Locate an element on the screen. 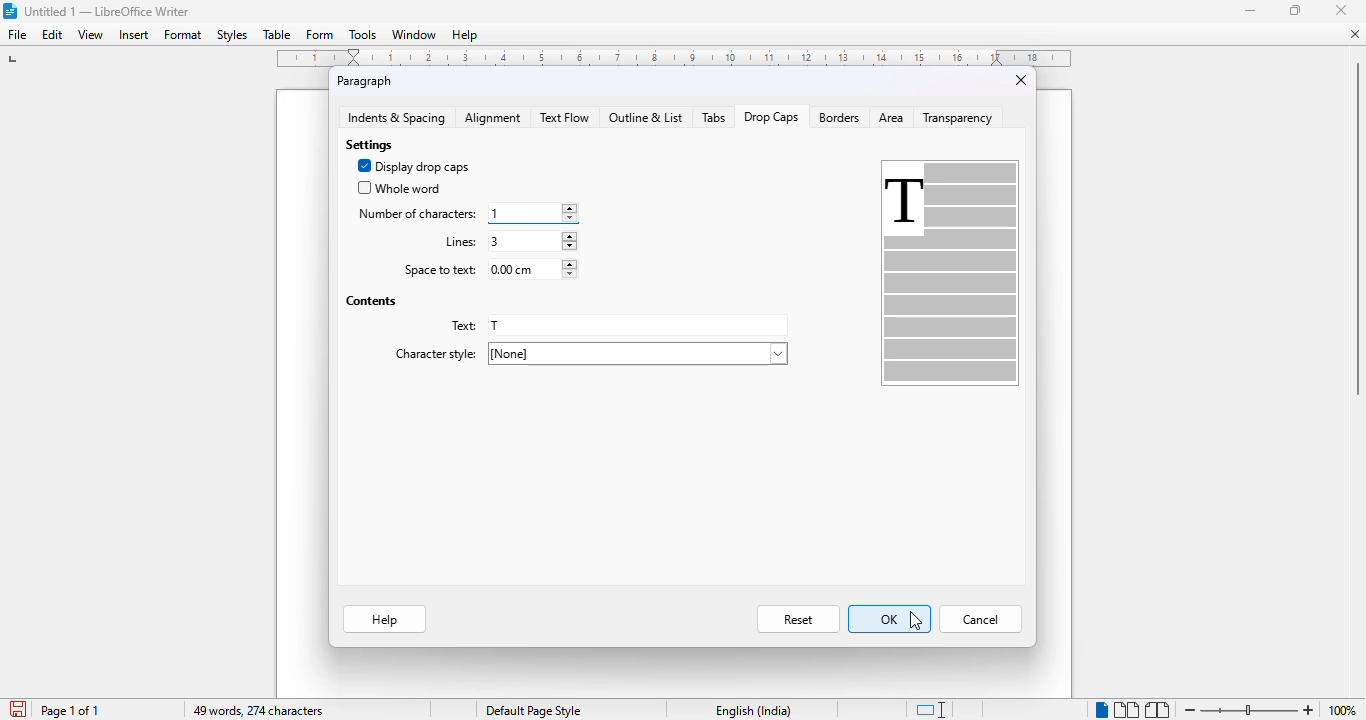 The width and height of the screenshot is (1366, 720). zoom out is located at coordinates (1186, 710).